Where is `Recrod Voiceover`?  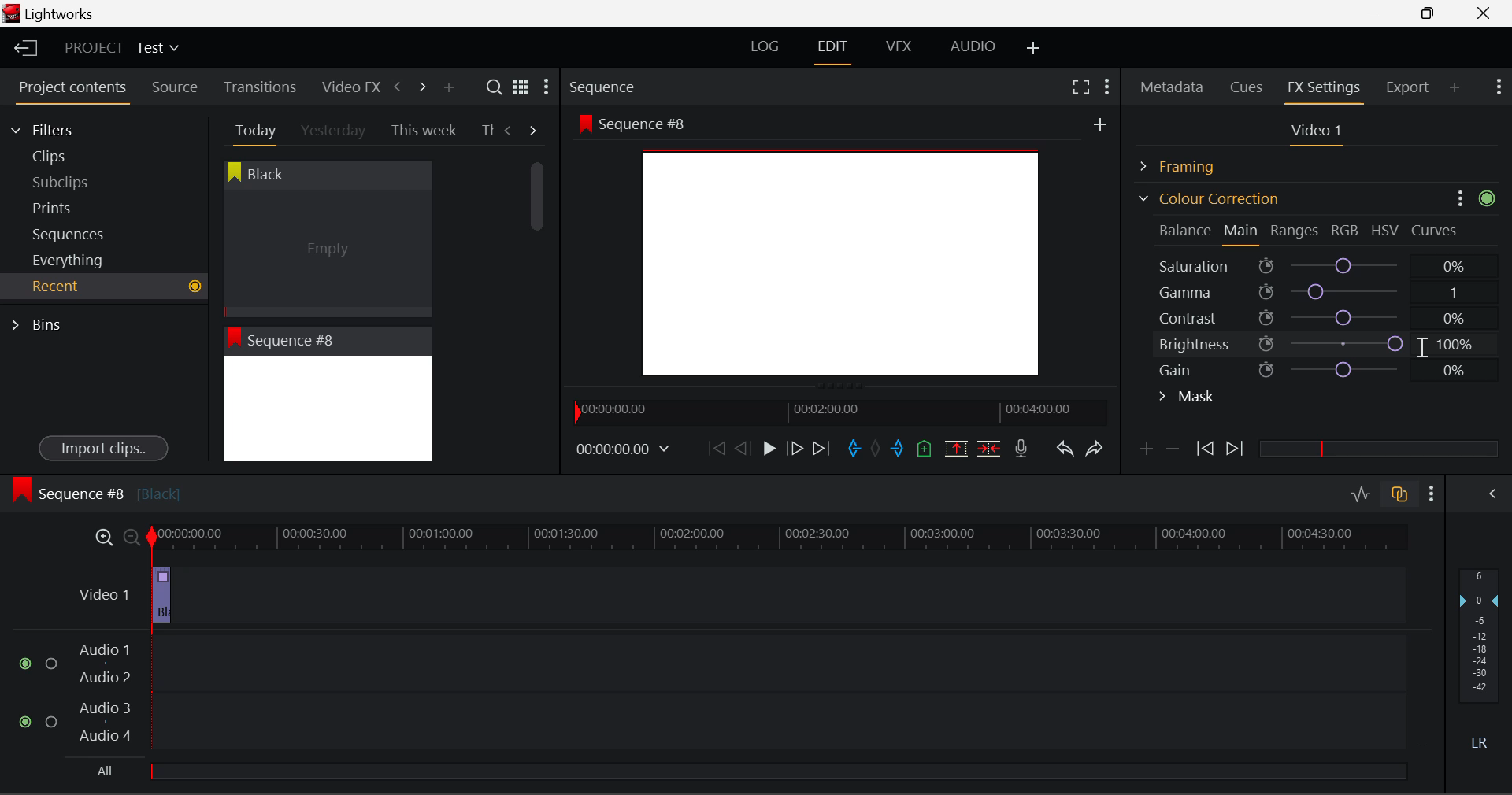
Recrod Voiceover is located at coordinates (1021, 448).